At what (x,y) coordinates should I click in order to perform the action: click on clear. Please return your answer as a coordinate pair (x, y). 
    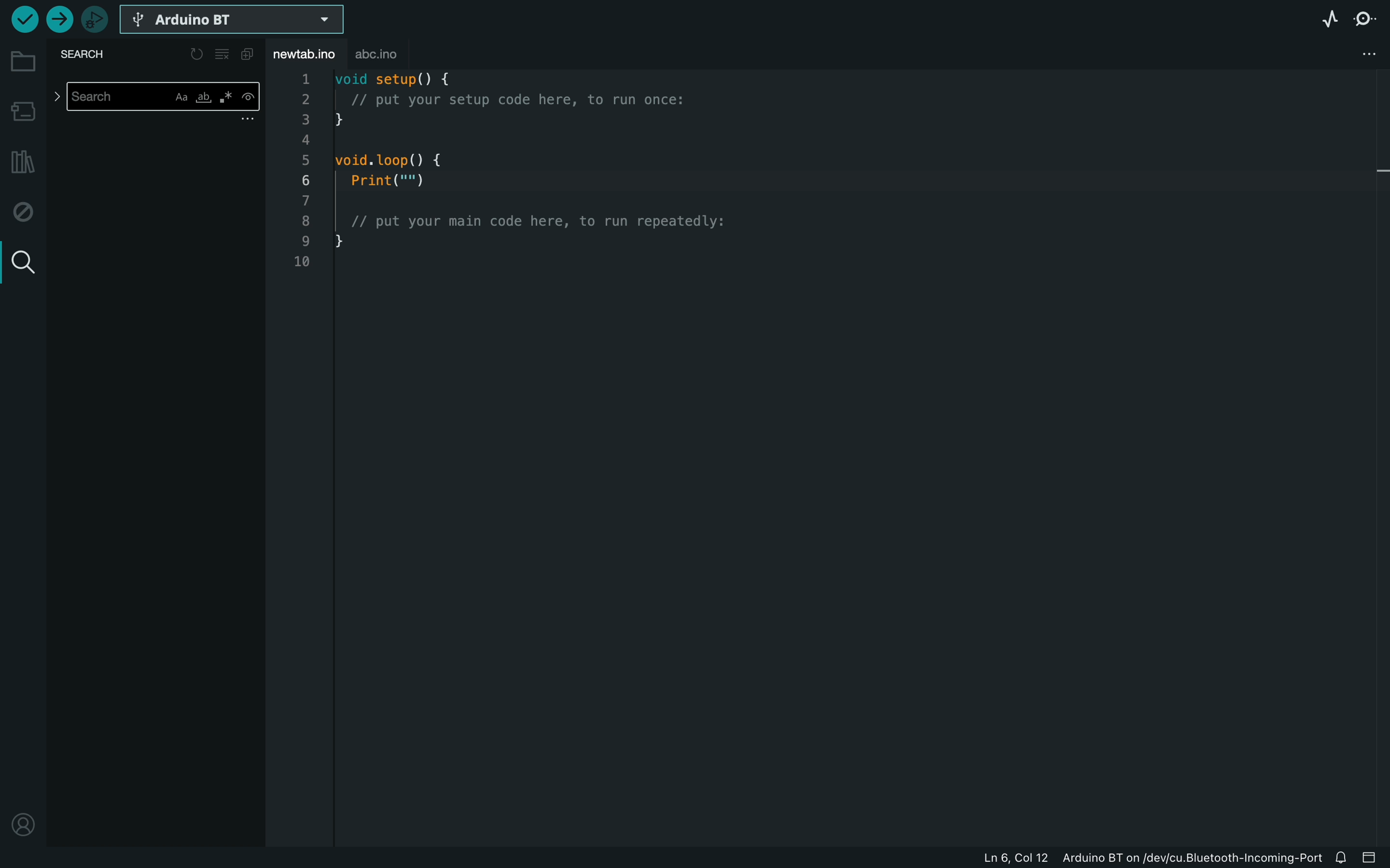
    Looking at the image, I should click on (225, 55).